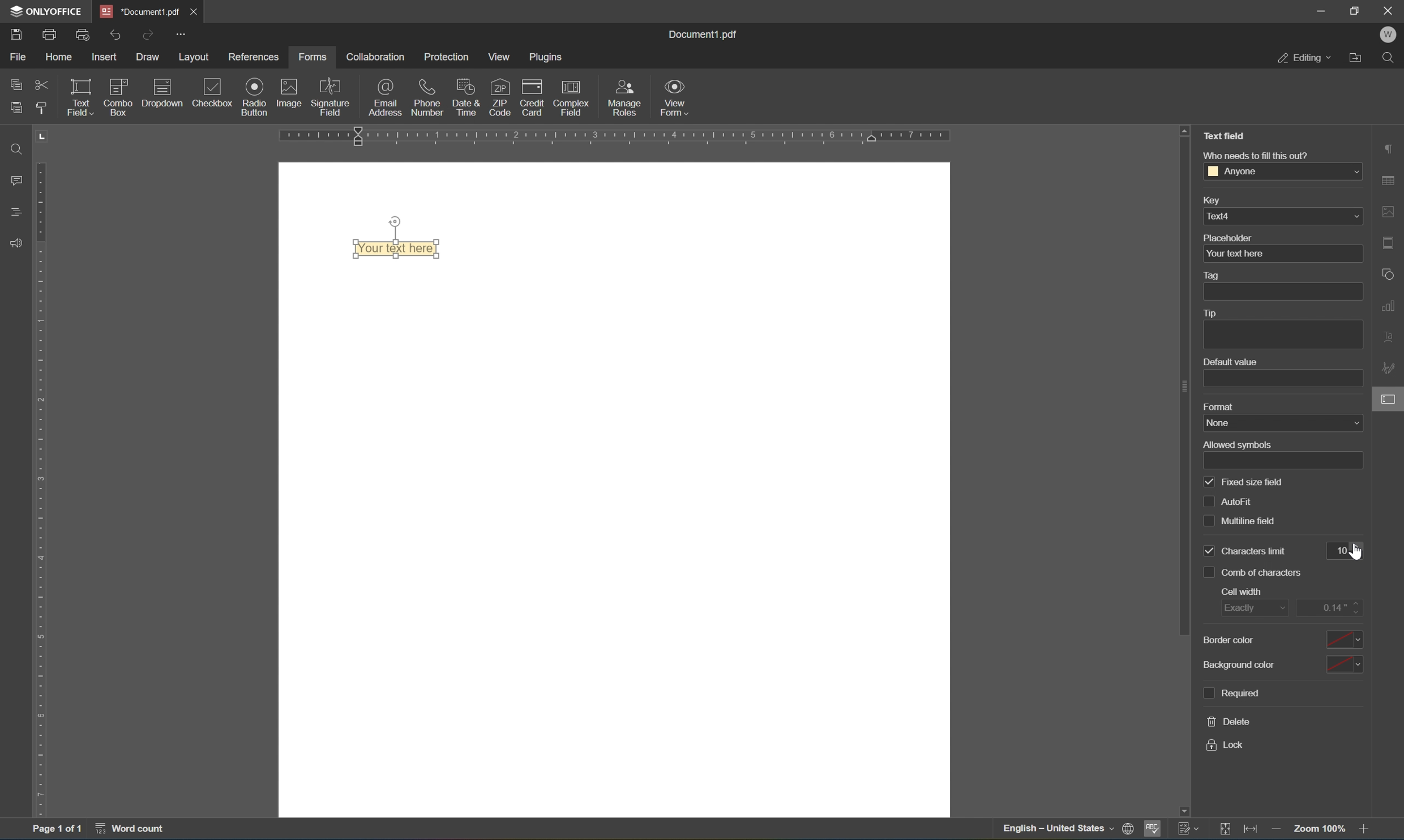  Describe the element at coordinates (60, 56) in the screenshot. I see `home` at that location.